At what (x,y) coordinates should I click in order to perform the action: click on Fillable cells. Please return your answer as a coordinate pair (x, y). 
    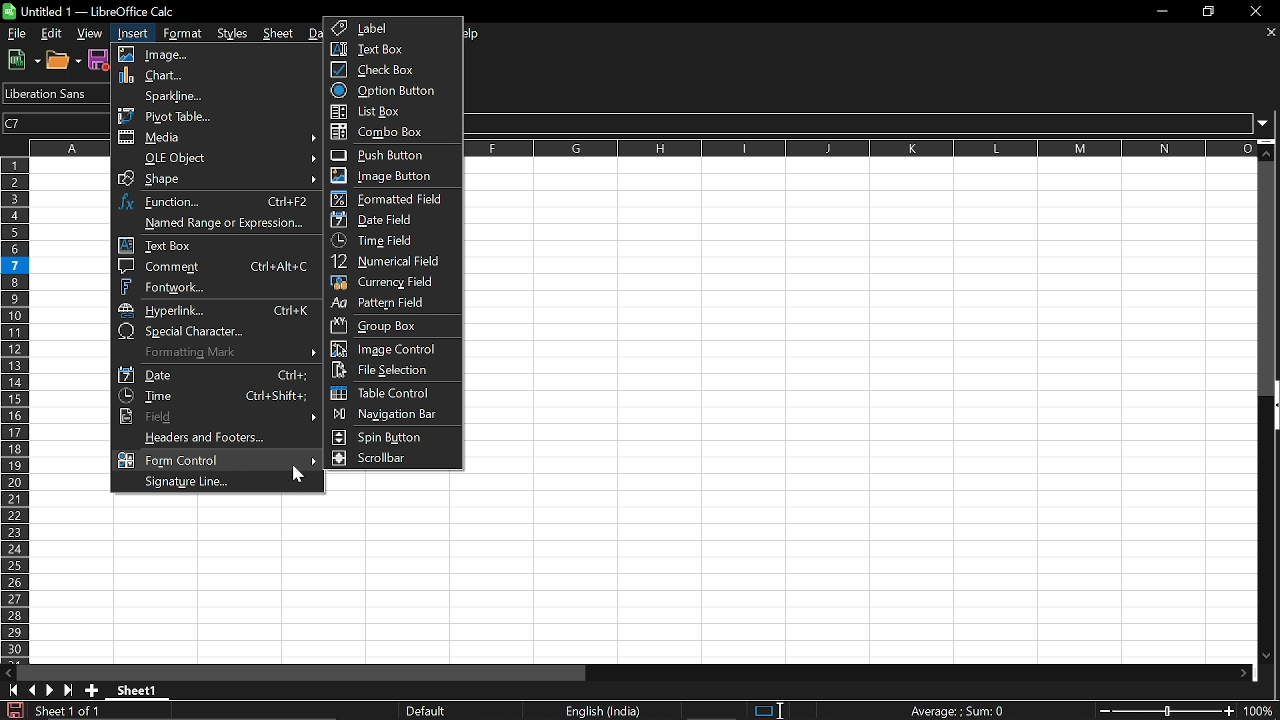
    Looking at the image, I should click on (860, 327).